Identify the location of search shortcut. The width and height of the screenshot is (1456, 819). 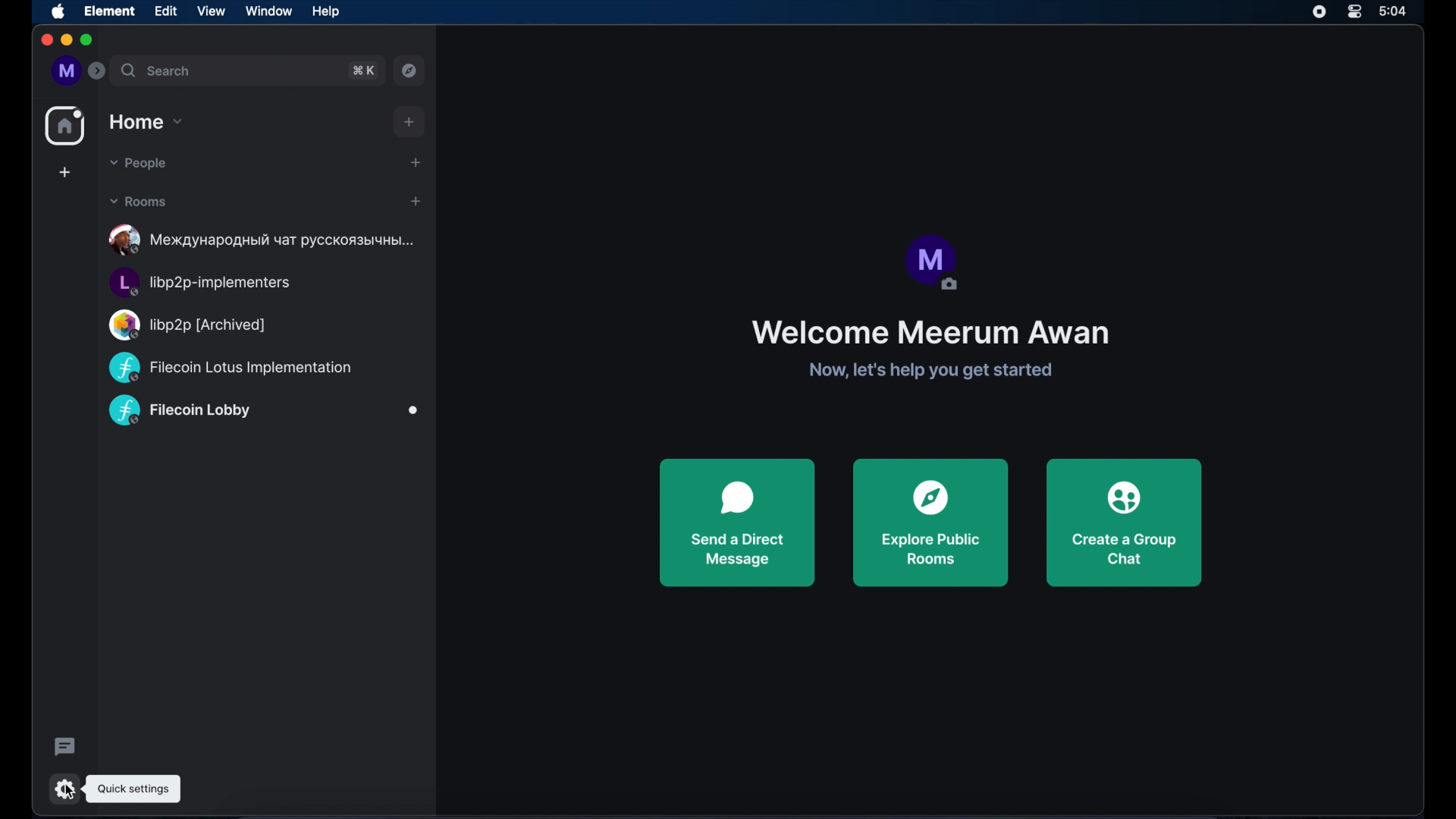
(363, 71).